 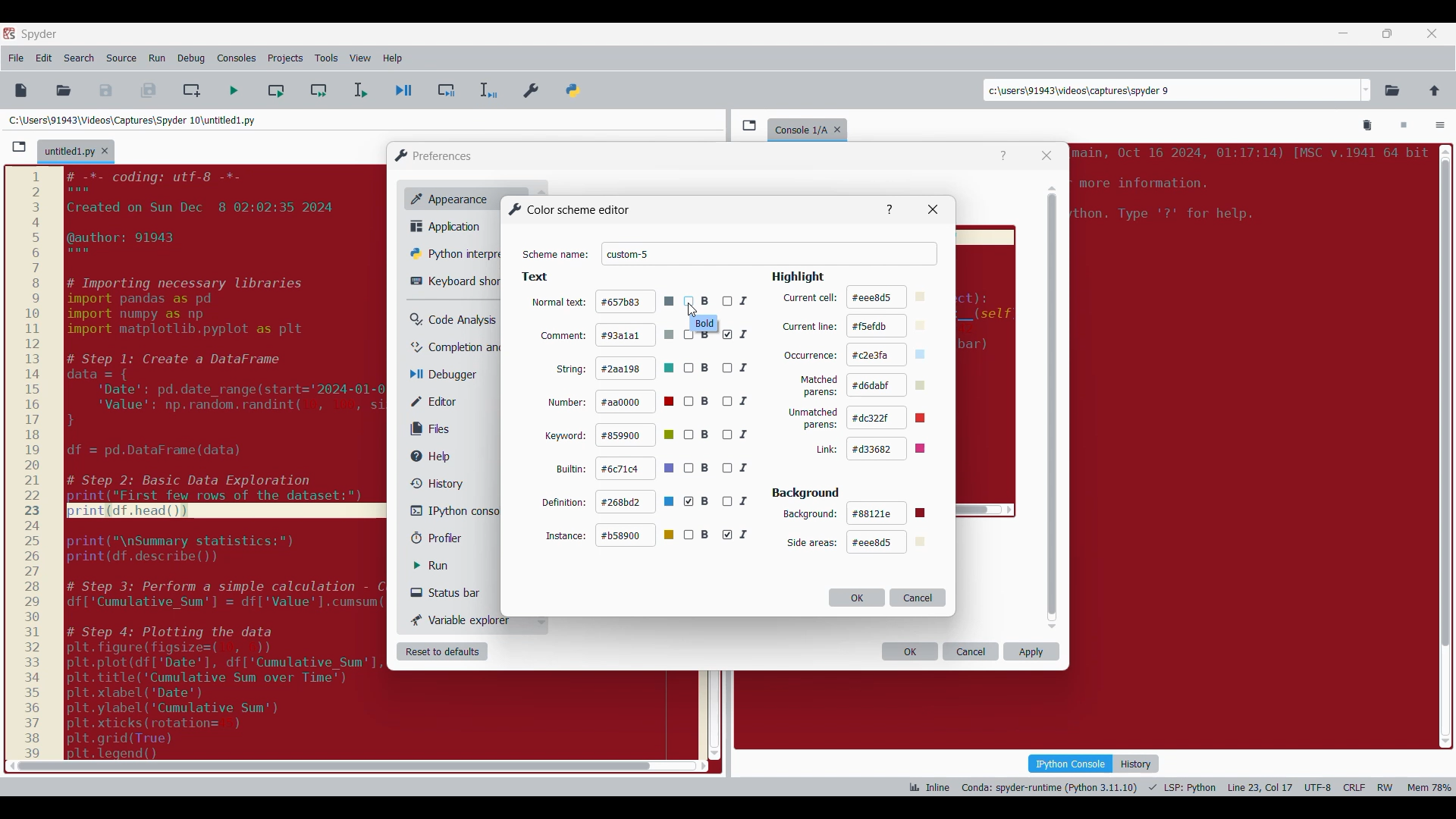 What do you see at coordinates (446, 197) in the screenshot?
I see `Appearance, current selection highlighted` at bounding box center [446, 197].